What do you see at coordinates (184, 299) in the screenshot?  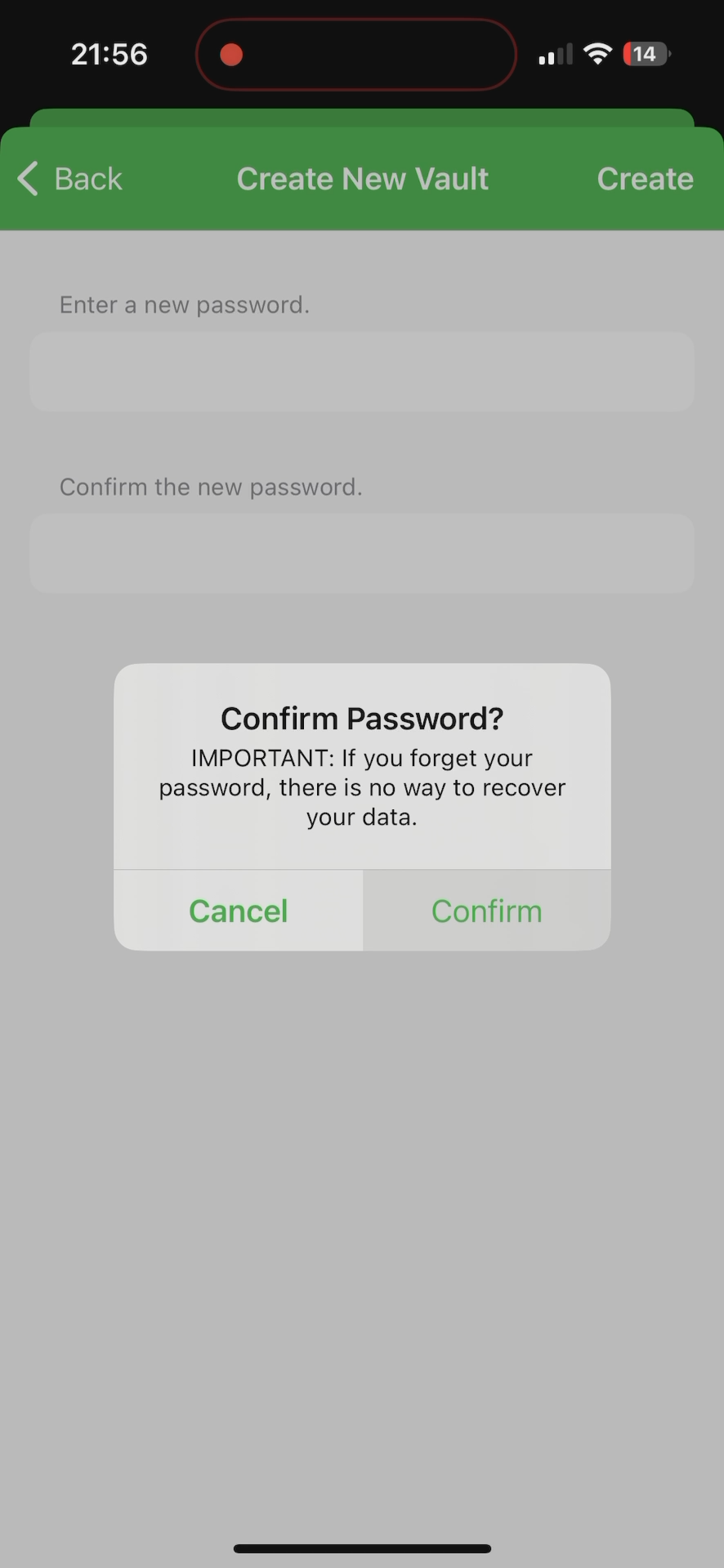 I see `enter a new password` at bounding box center [184, 299].